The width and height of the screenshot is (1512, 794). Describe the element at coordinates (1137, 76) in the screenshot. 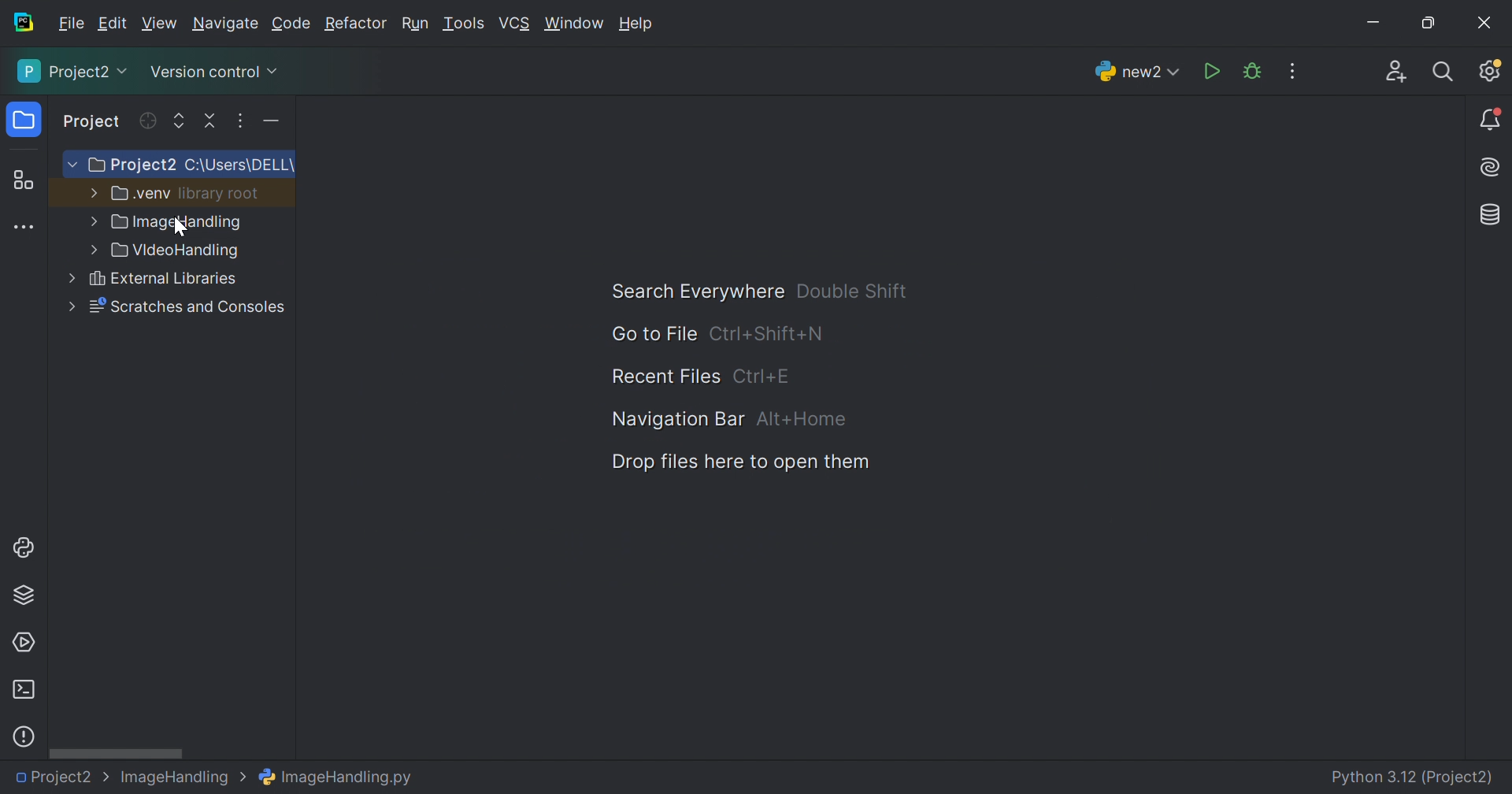

I see `new2` at that location.